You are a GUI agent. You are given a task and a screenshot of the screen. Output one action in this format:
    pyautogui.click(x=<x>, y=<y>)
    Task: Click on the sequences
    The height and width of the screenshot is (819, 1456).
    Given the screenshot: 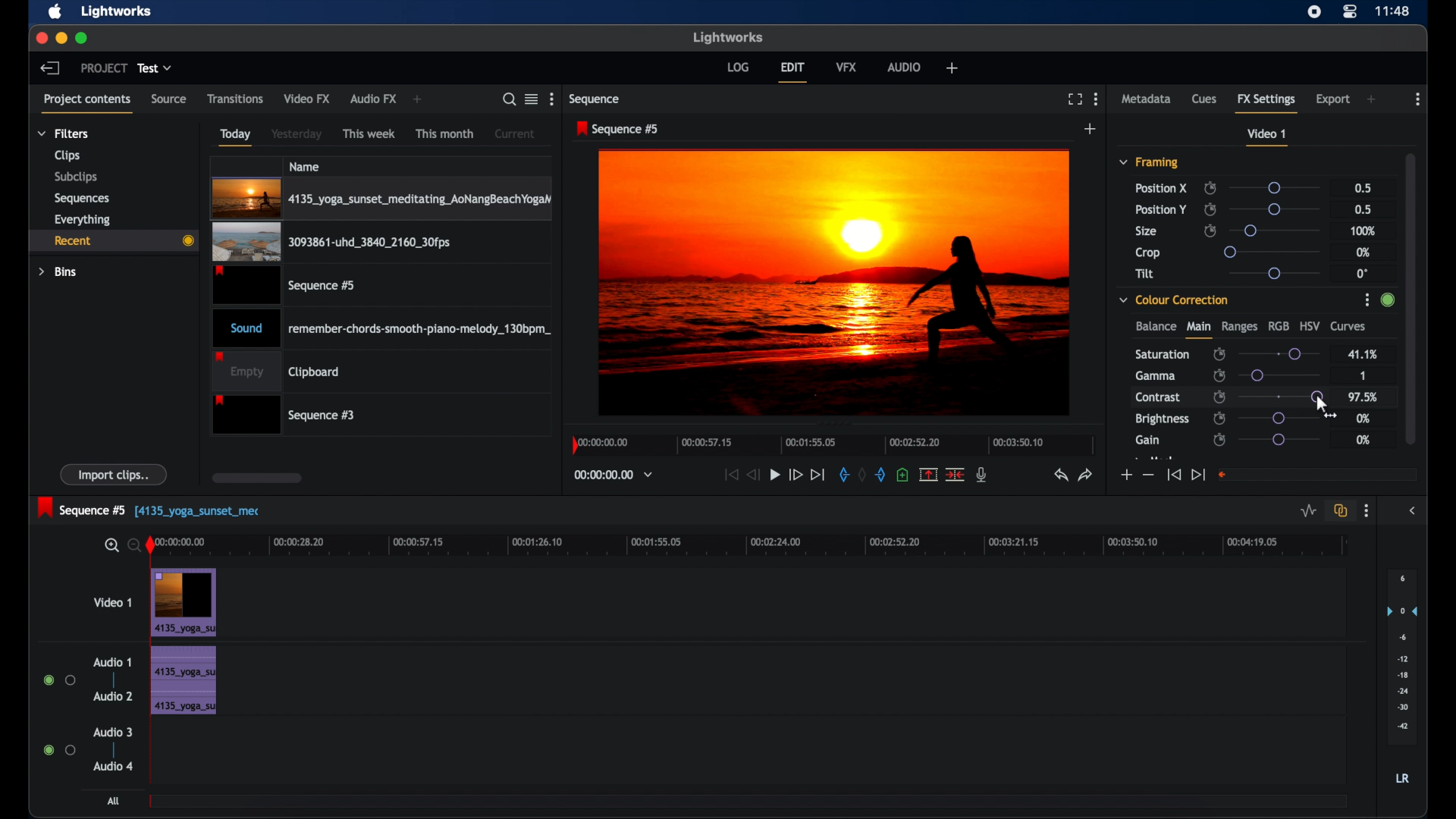 What is the action you would take?
    pyautogui.click(x=82, y=197)
    